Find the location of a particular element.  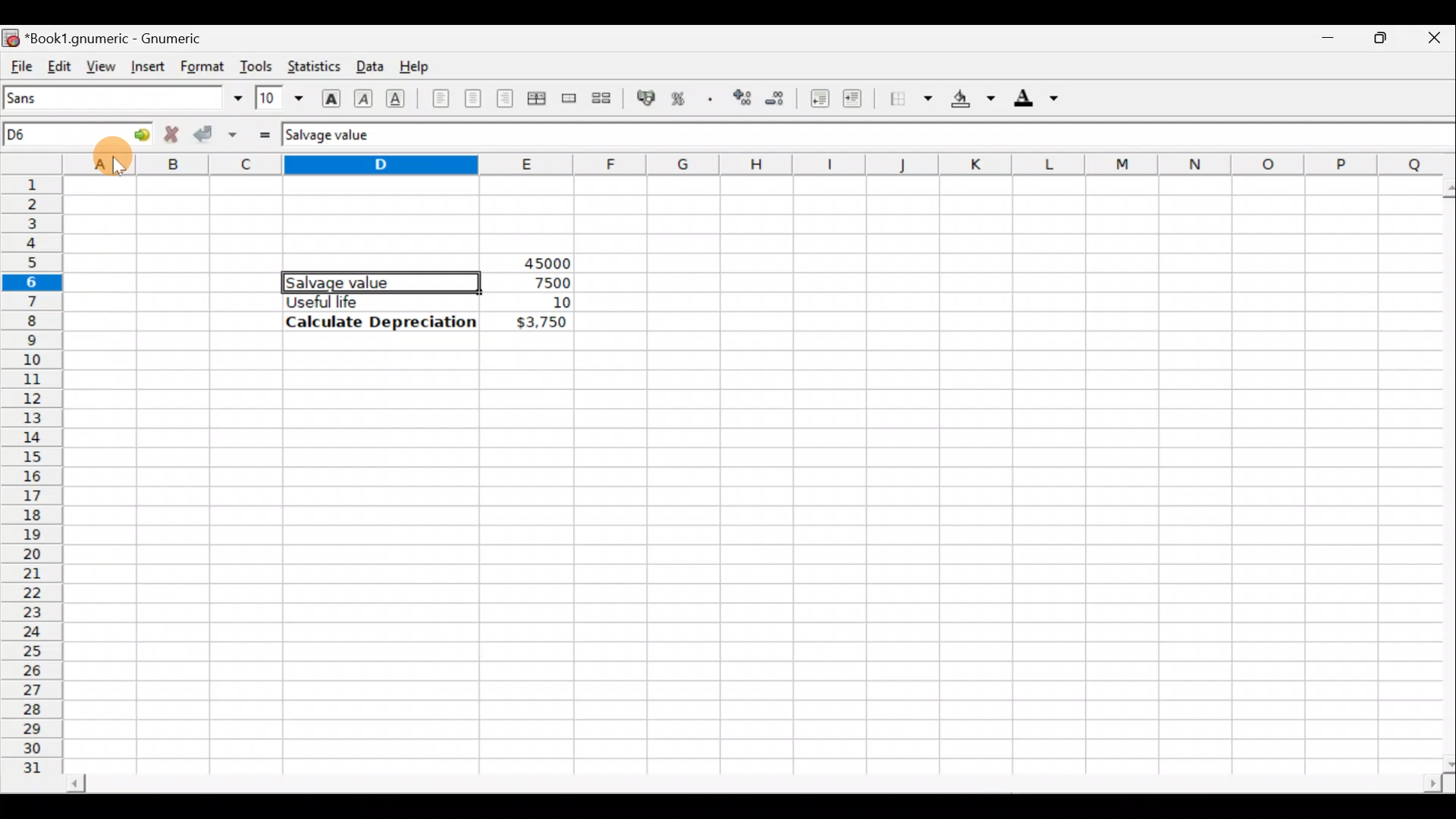

Underline is located at coordinates (402, 99).